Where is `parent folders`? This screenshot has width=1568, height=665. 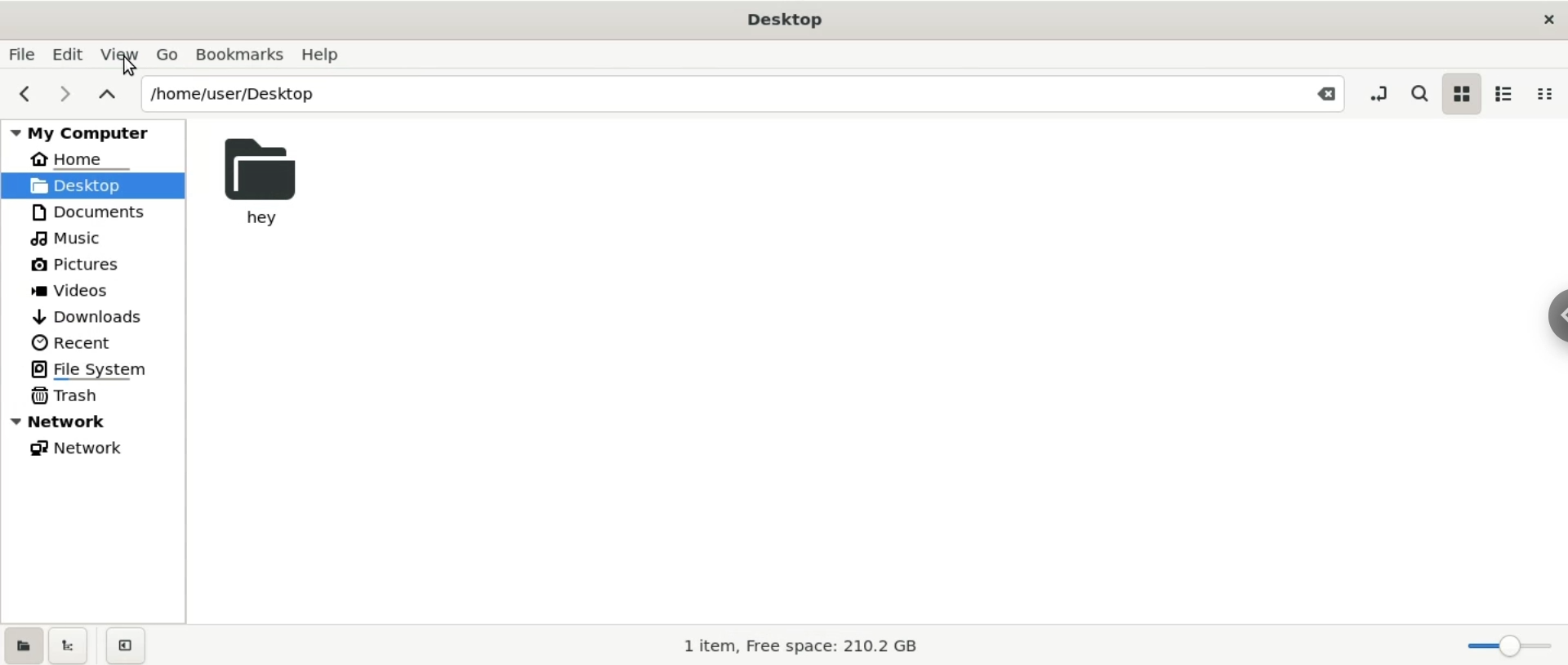
parent folders is located at coordinates (109, 94).